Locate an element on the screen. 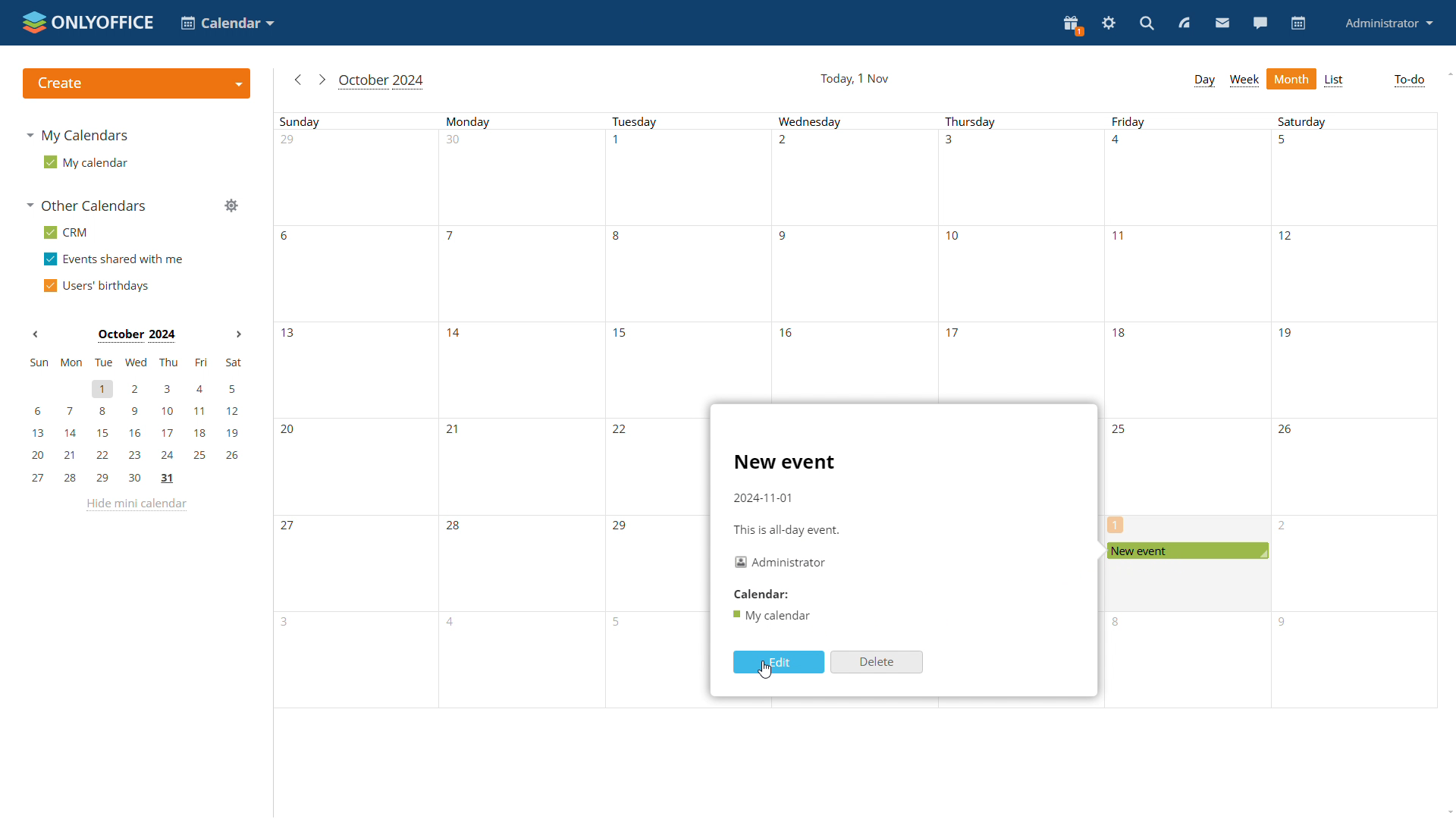 This screenshot has width=1456, height=819. event duration is located at coordinates (785, 528).